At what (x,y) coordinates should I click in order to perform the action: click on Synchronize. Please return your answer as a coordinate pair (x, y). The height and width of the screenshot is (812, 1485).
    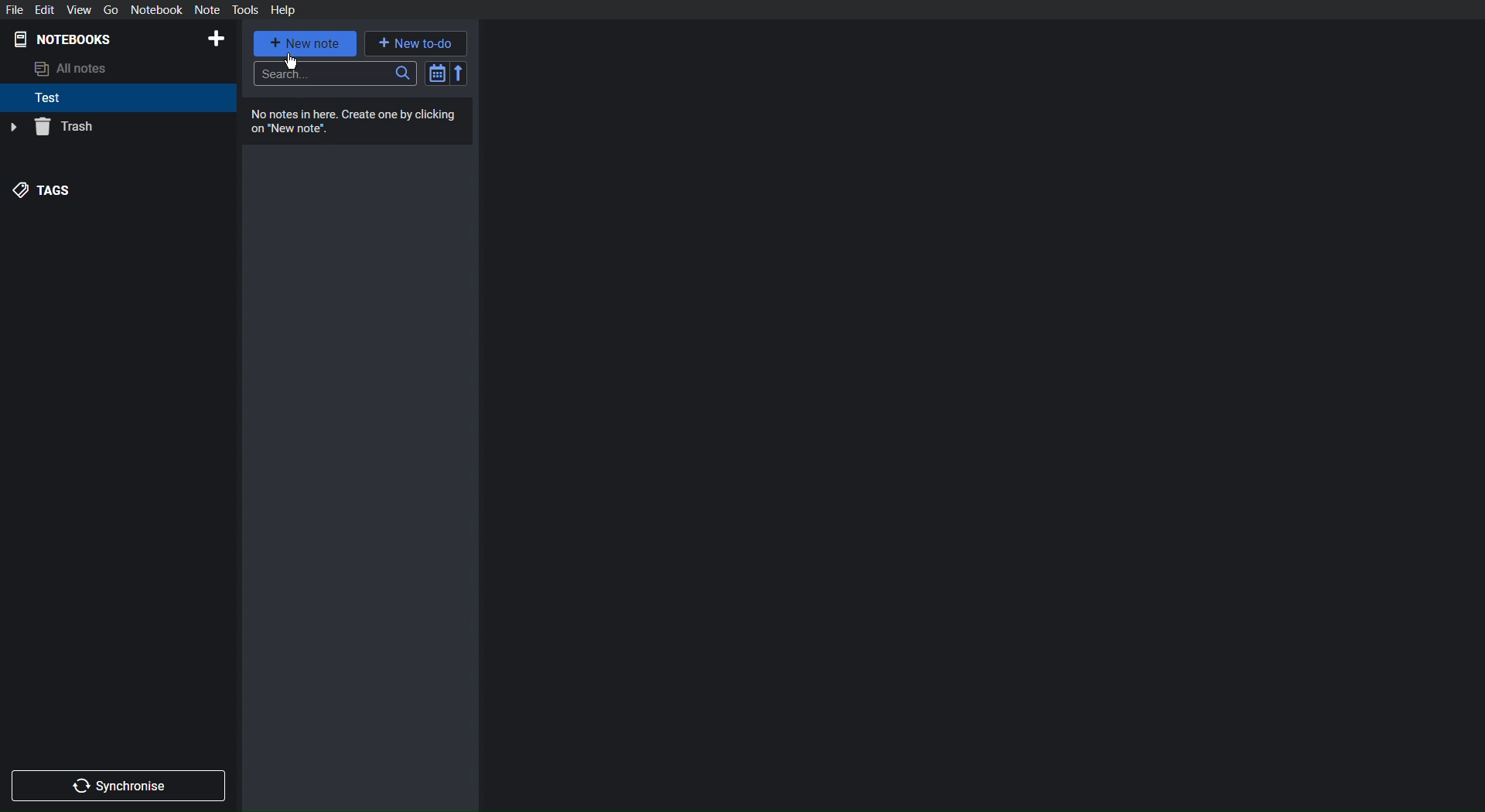
    Looking at the image, I should click on (118, 786).